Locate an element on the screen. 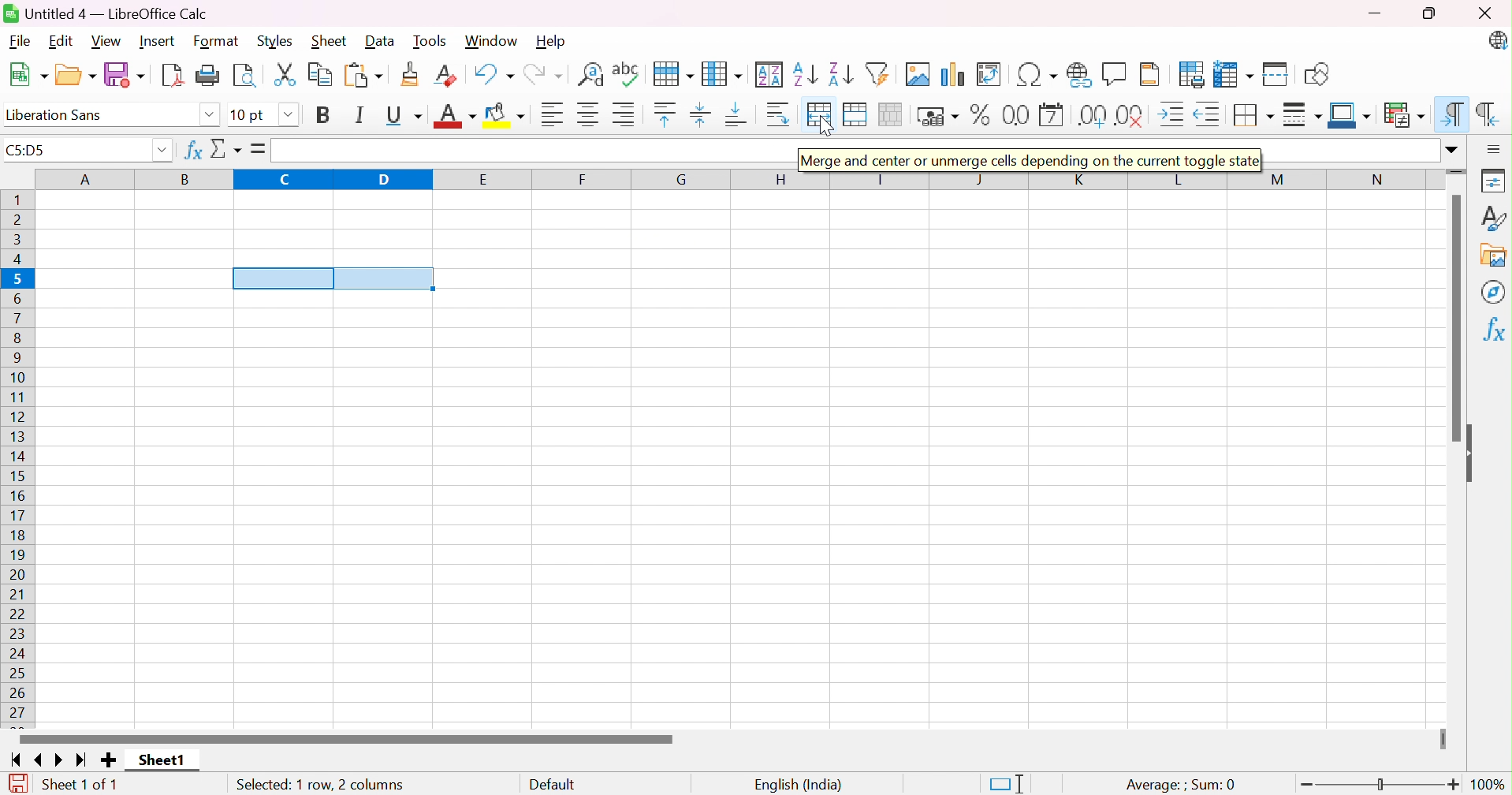 The height and width of the screenshot is (795, 1512). Scroll to next sheet is located at coordinates (63, 762).